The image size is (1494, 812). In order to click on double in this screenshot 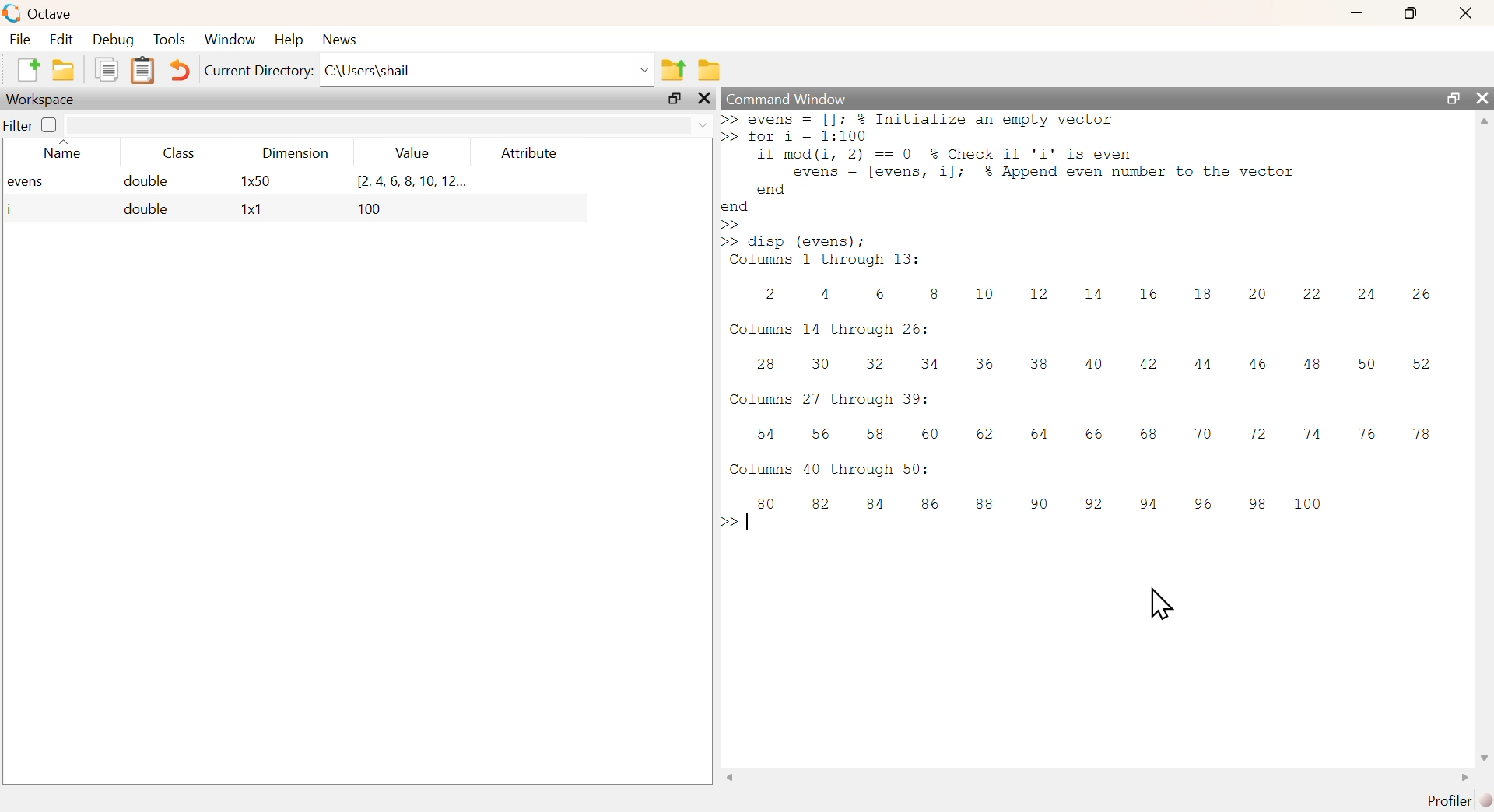, I will do `click(147, 210)`.